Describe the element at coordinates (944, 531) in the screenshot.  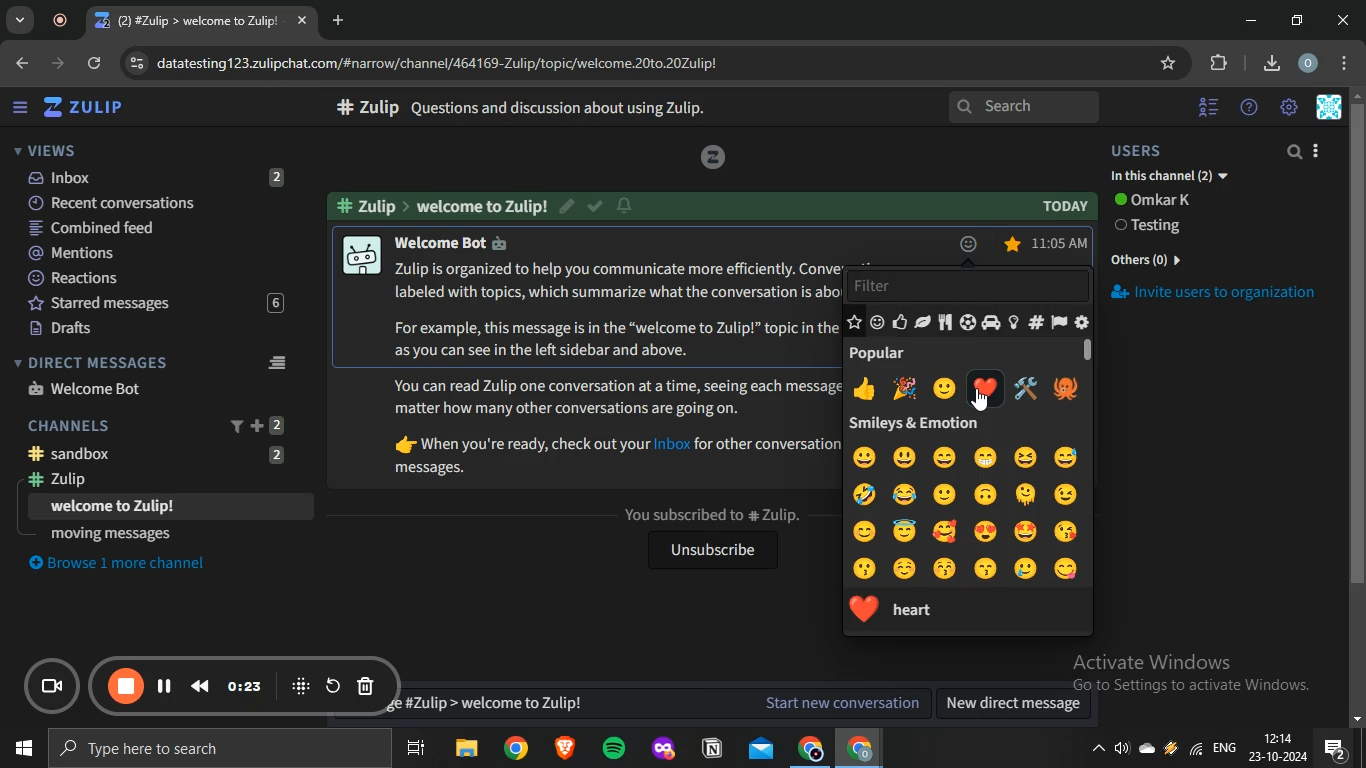
I see `smiling face with heart` at that location.